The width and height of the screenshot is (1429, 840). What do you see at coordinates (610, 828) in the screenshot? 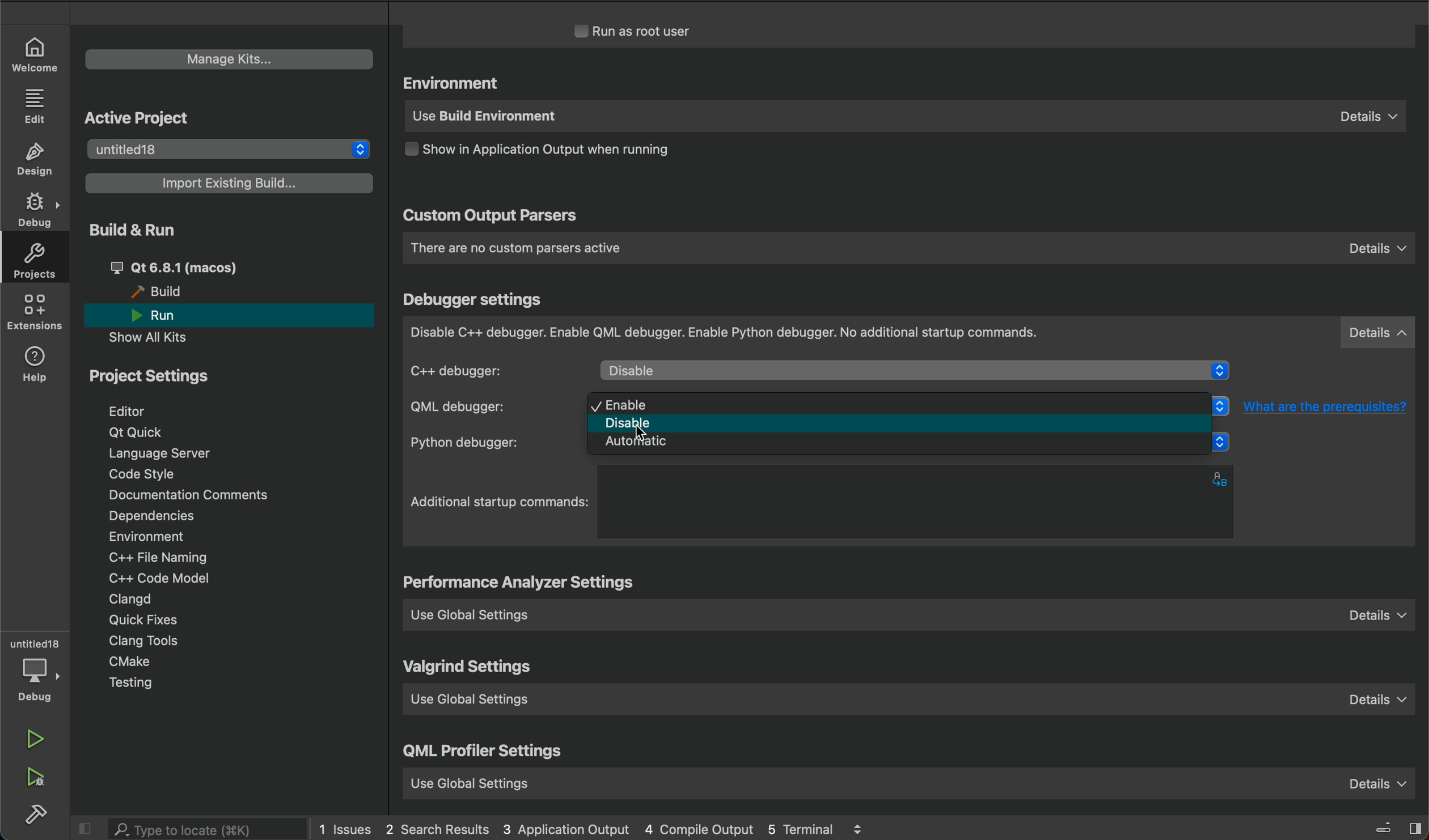
I see `logs` at bounding box center [610, 828].